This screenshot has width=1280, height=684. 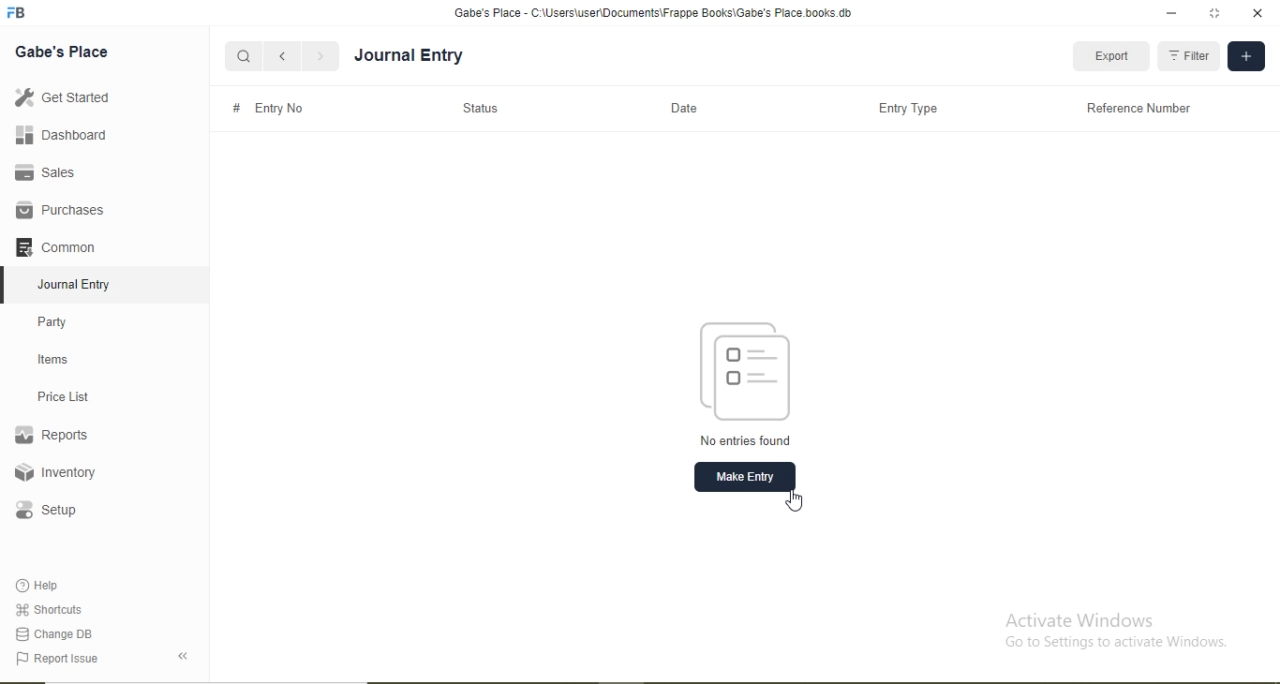 I want to click on Reference Number, so click(x=1140, y=109).